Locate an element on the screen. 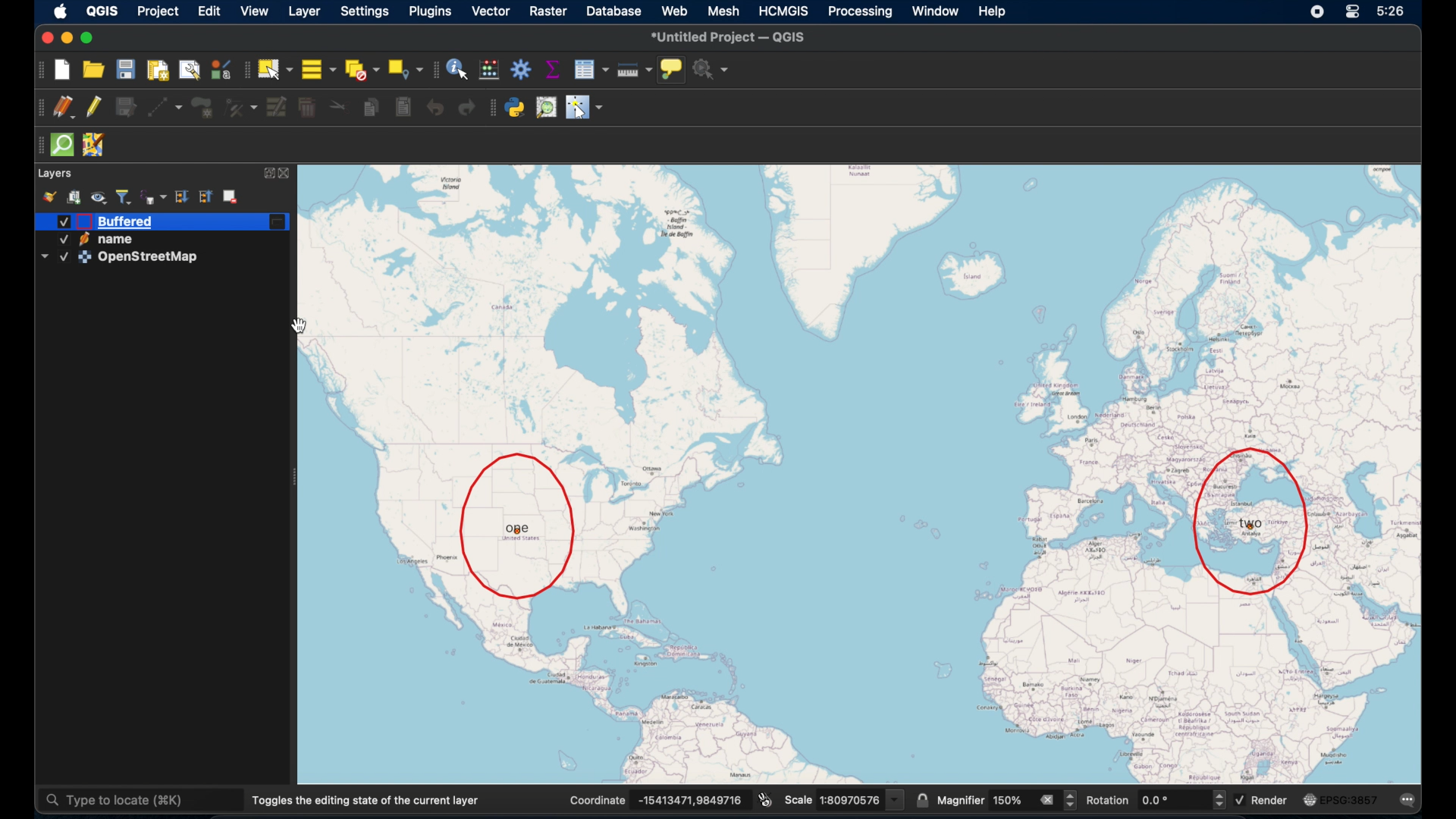 The image size is (1456, 819). coordinate values is located at coordinates (692, 799).